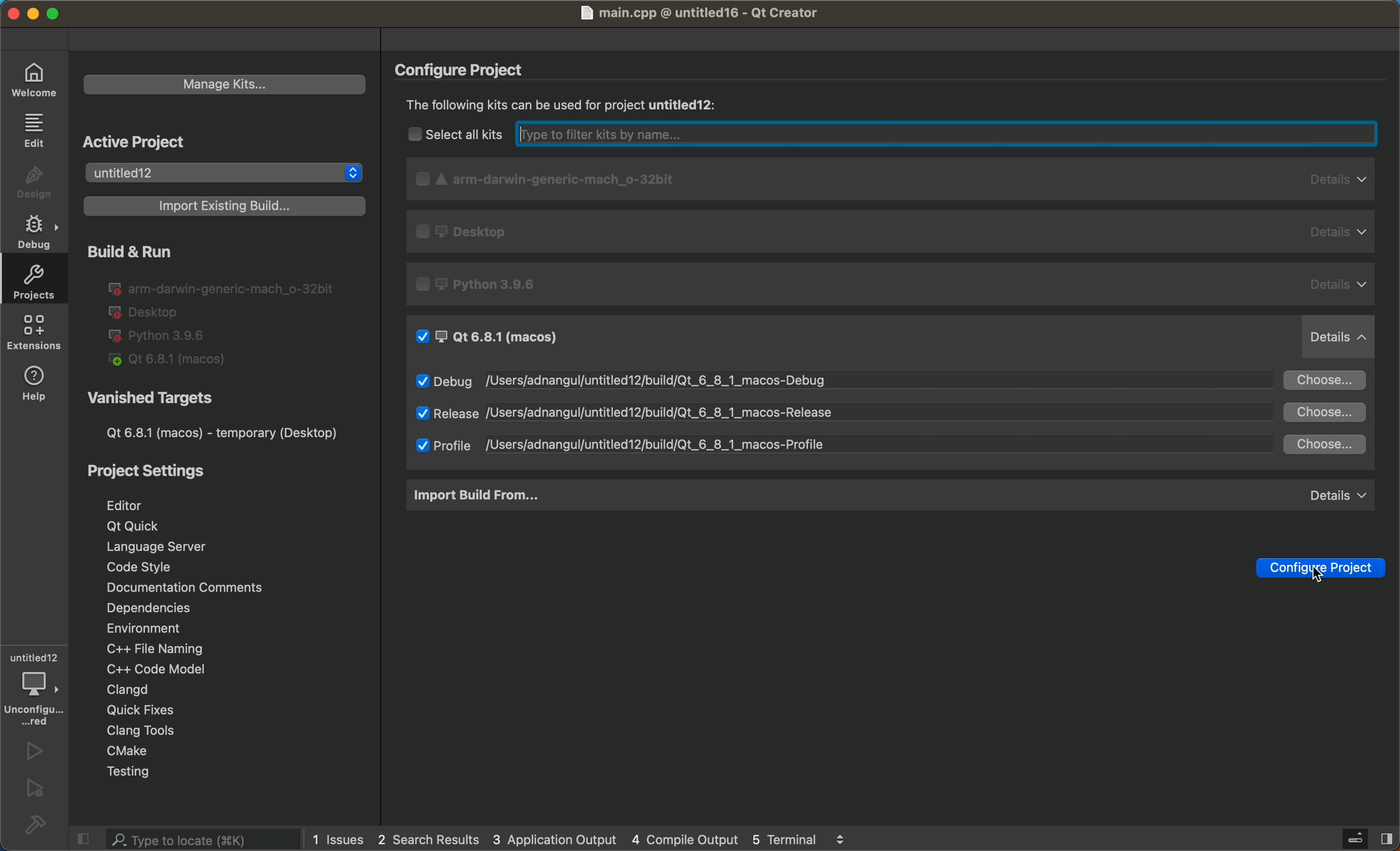 This screenshot has width=1400, height=851. I want to click on logs, so click(595, 838).